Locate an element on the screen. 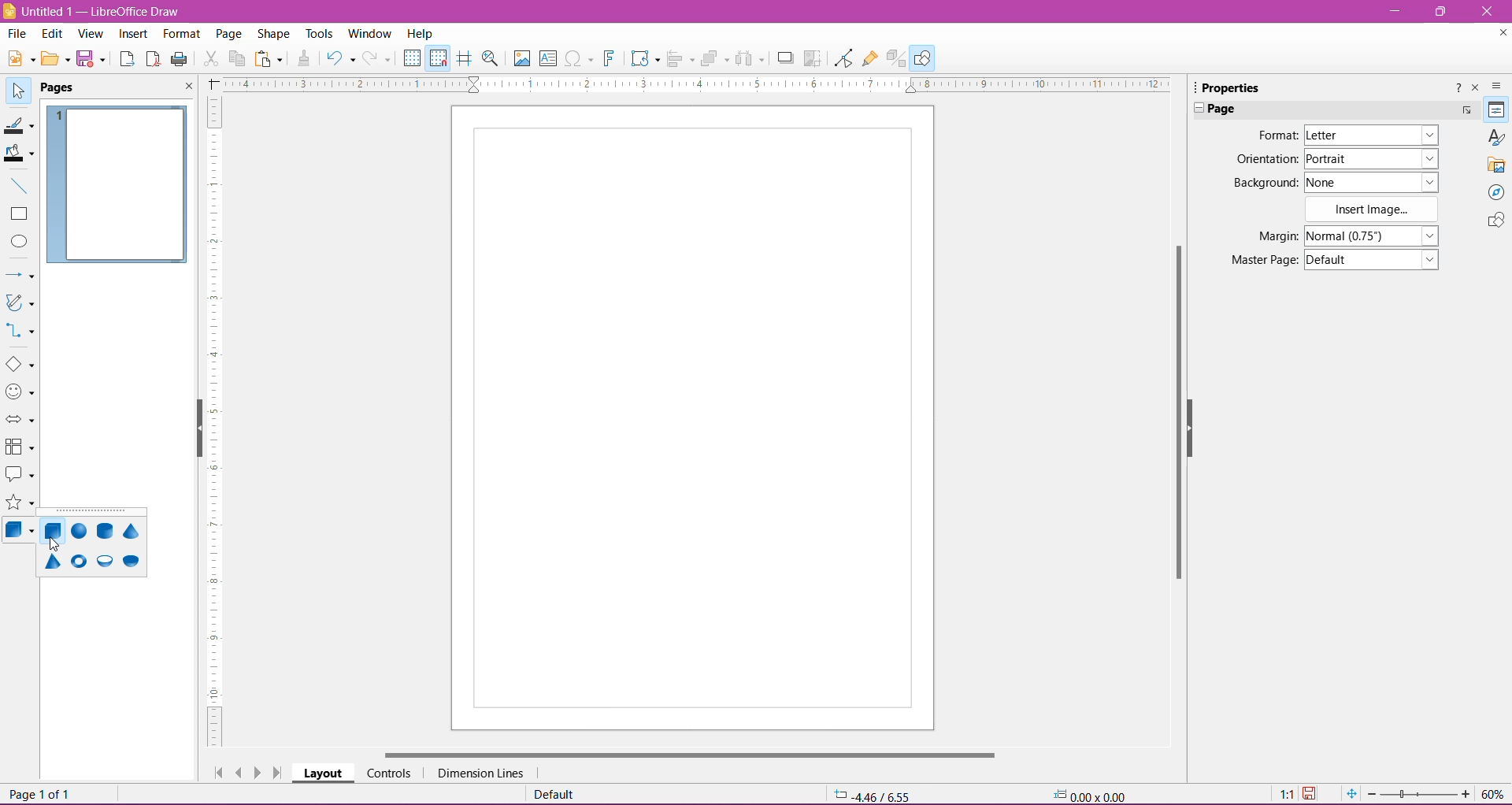  Clone Formatting is located at coordinates (305, 59).